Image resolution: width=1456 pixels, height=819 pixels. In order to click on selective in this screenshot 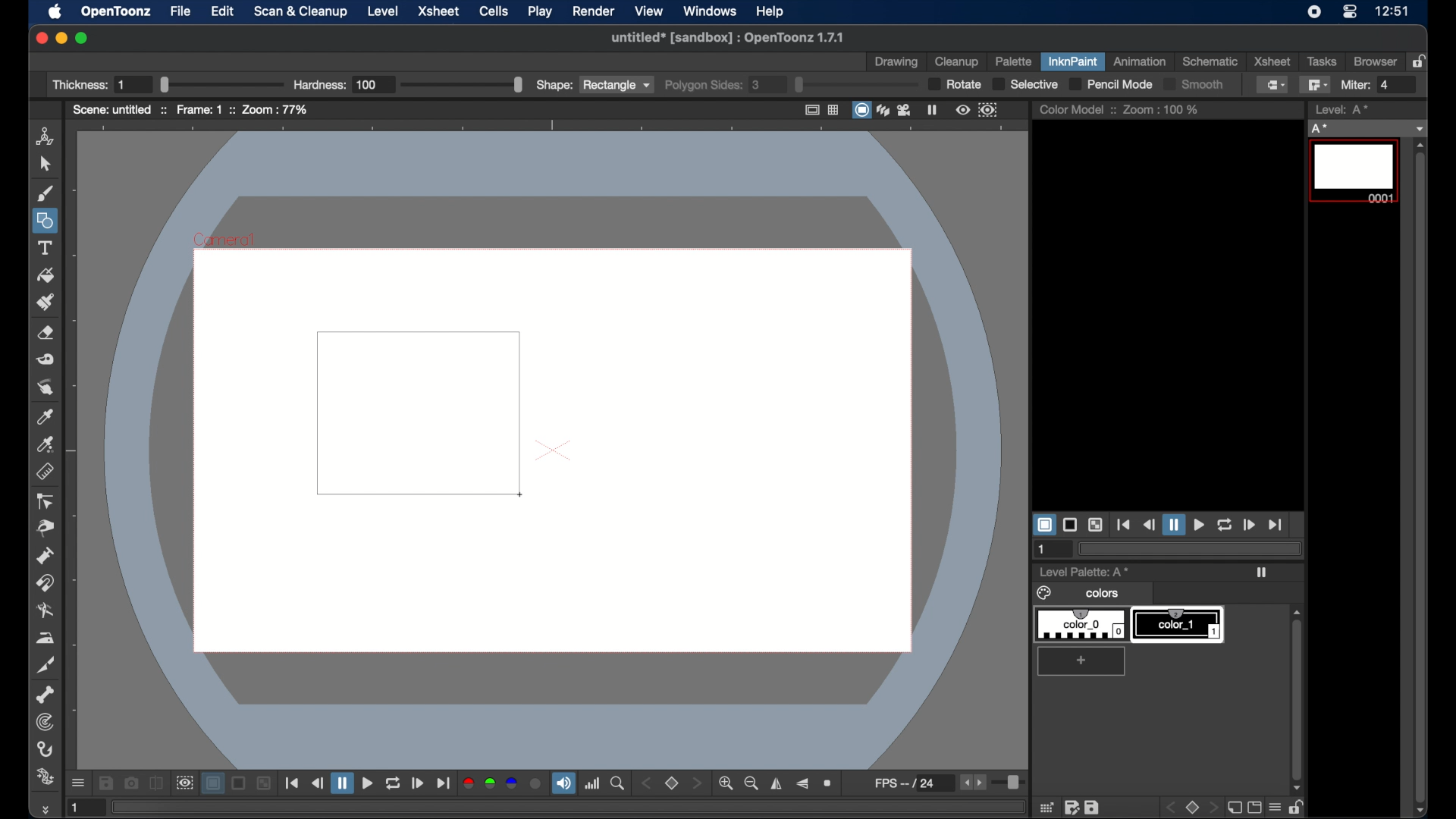, I will do `click(1027, 86)`.